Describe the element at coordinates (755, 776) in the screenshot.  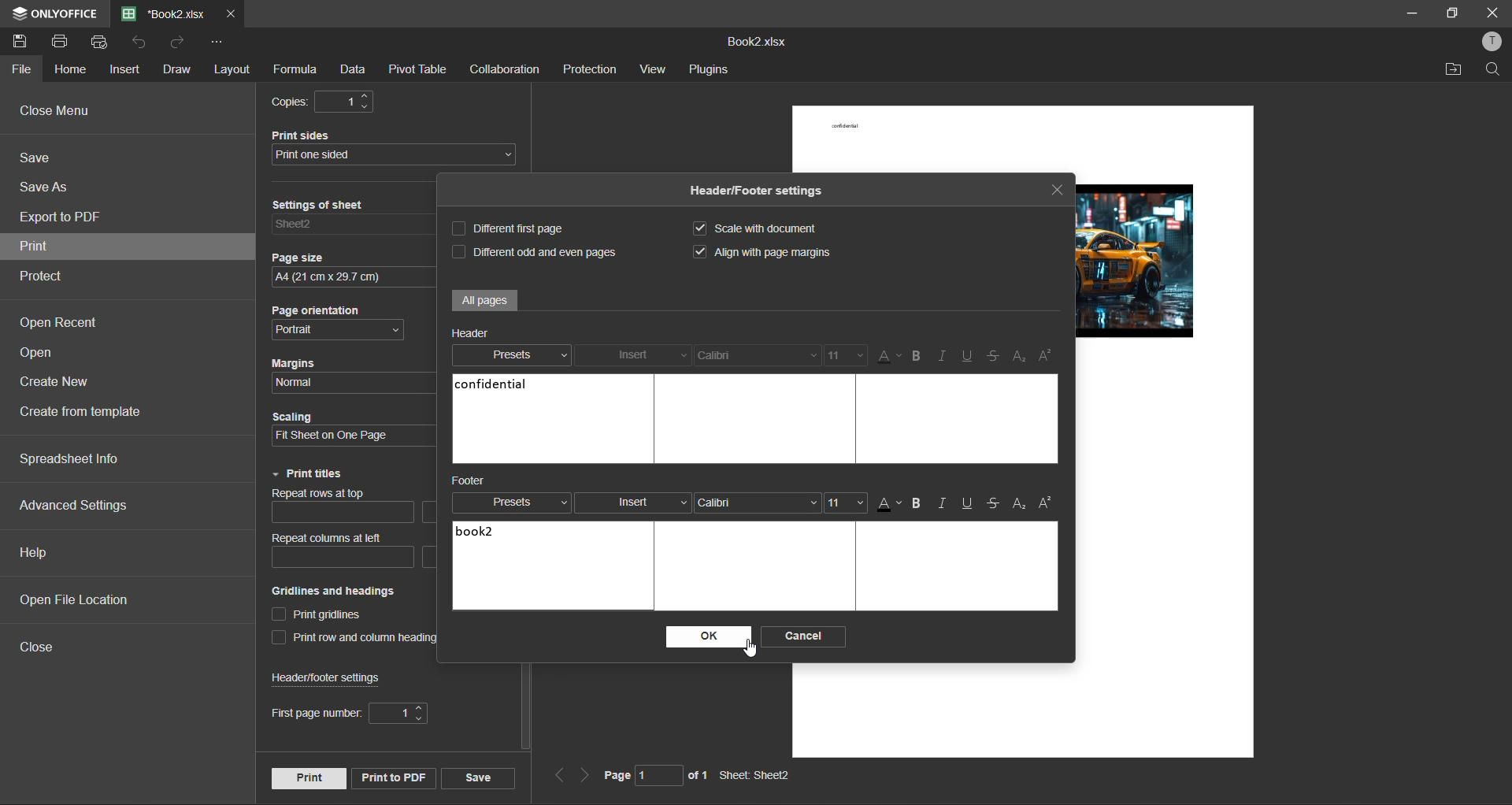
I see `Sheet: Sheet2` at that location.